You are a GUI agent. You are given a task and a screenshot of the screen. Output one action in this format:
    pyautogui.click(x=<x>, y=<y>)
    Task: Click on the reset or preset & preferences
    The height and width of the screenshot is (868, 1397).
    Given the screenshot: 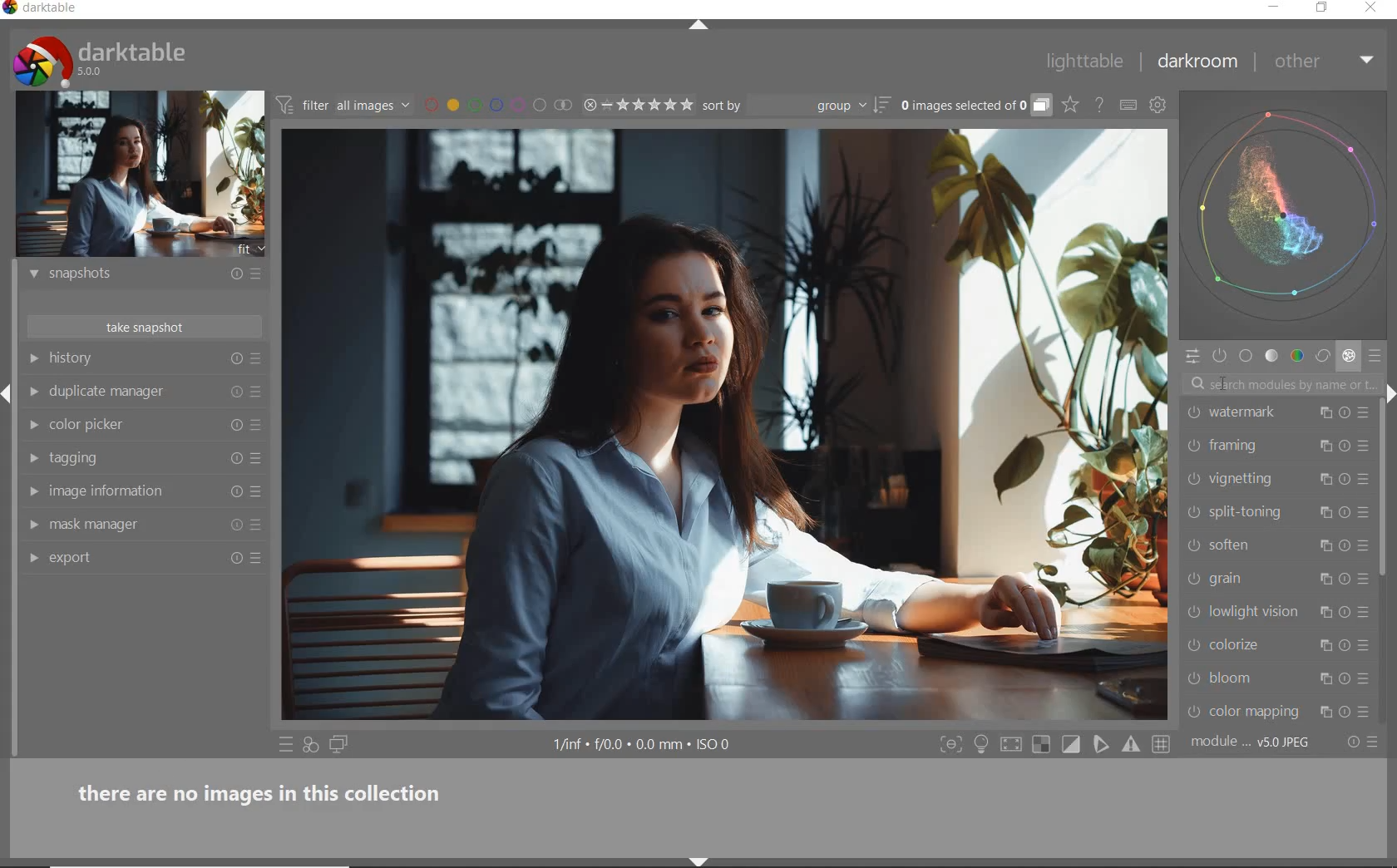 What is the action you would take?
    pyautogui.click(x=1365, y=742)
    